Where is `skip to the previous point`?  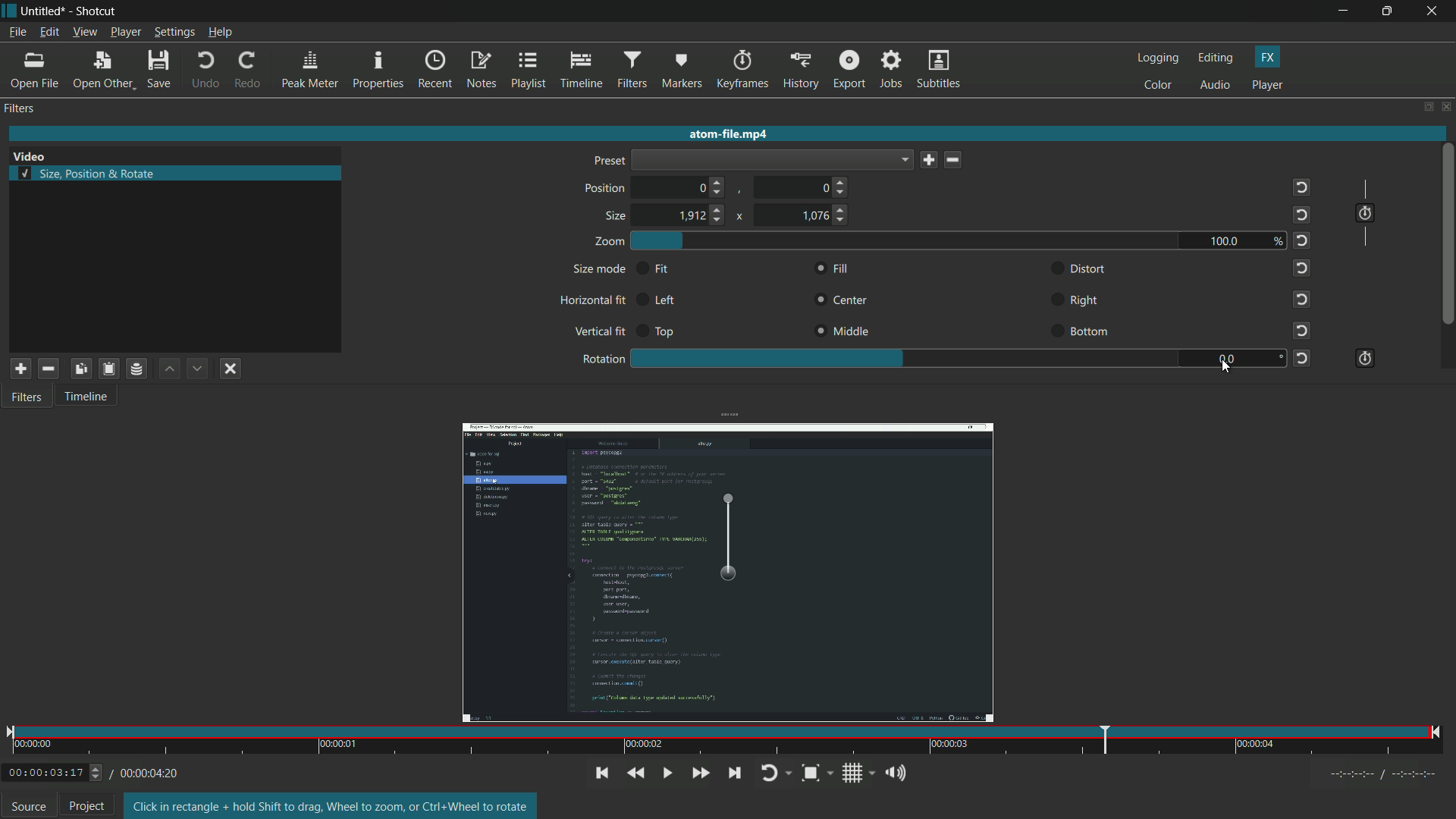
skip to the previous point is located at coordinates (602, 773).